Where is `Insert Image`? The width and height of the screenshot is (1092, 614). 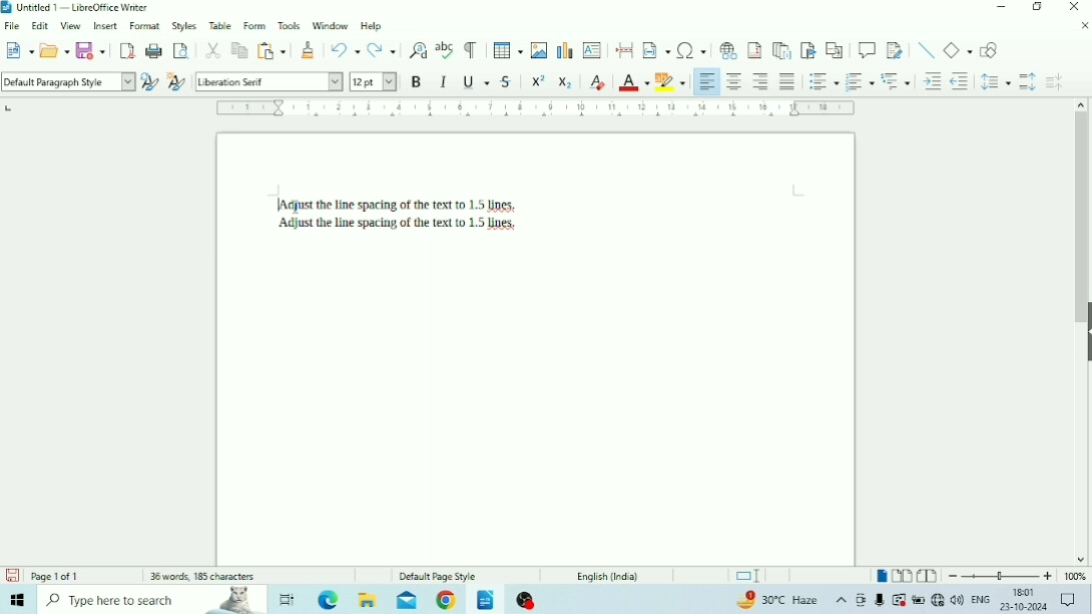
Insert Image is located at coordinates (539, 48).